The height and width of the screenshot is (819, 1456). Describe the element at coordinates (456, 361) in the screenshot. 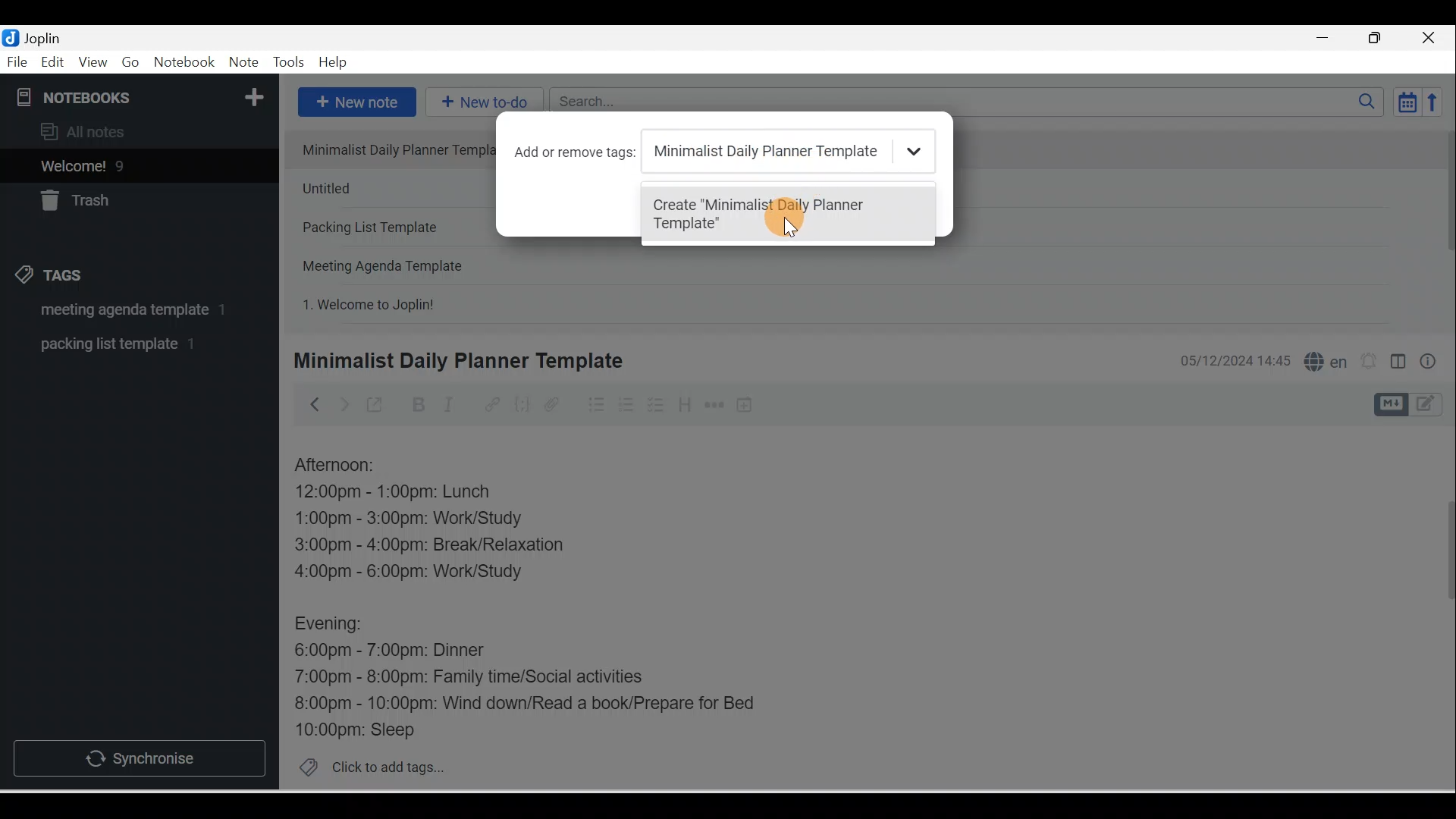

I see `Minimalist Daily Planner Template` at that location.